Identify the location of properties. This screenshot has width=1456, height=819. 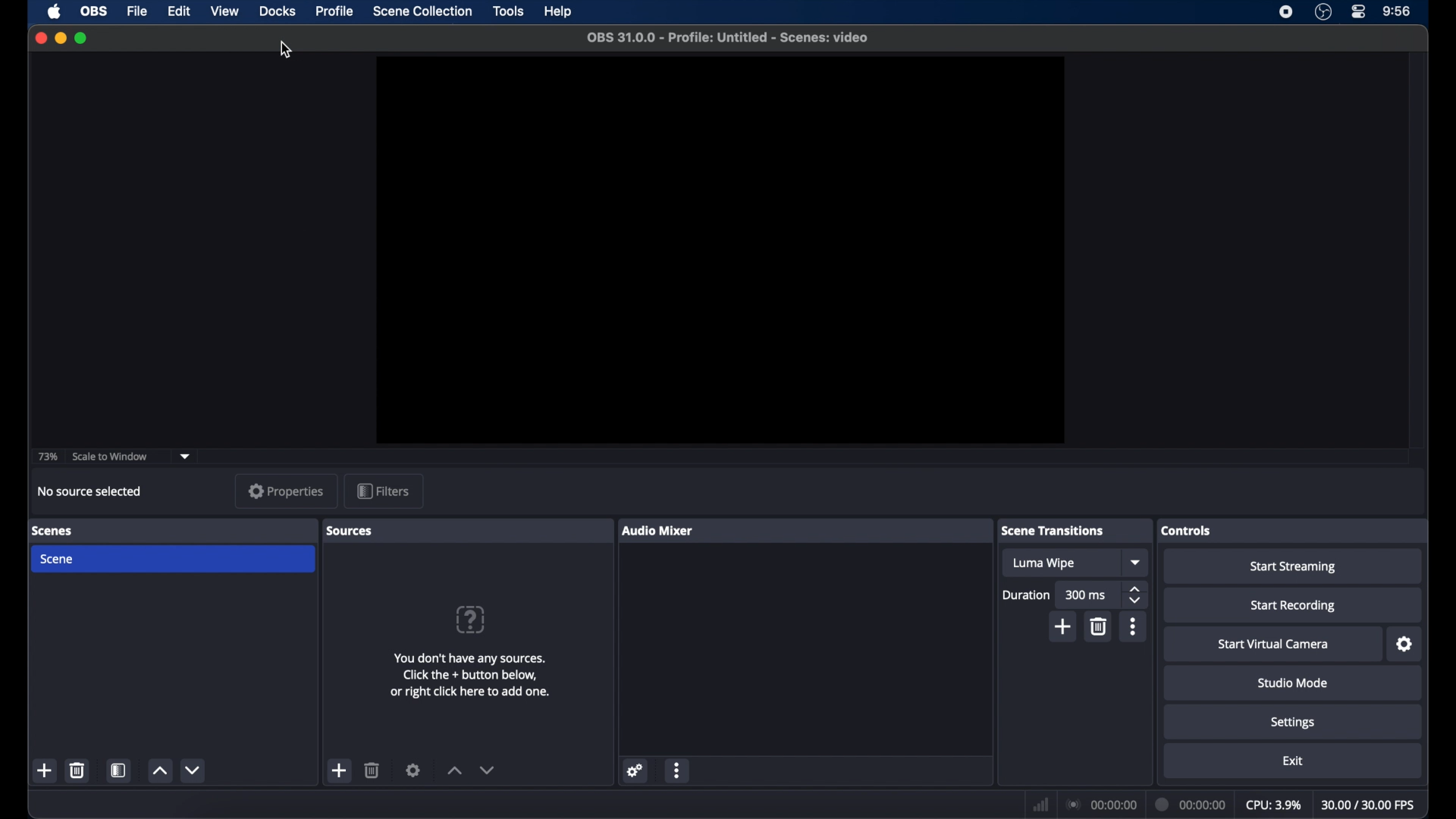
(287, 491).